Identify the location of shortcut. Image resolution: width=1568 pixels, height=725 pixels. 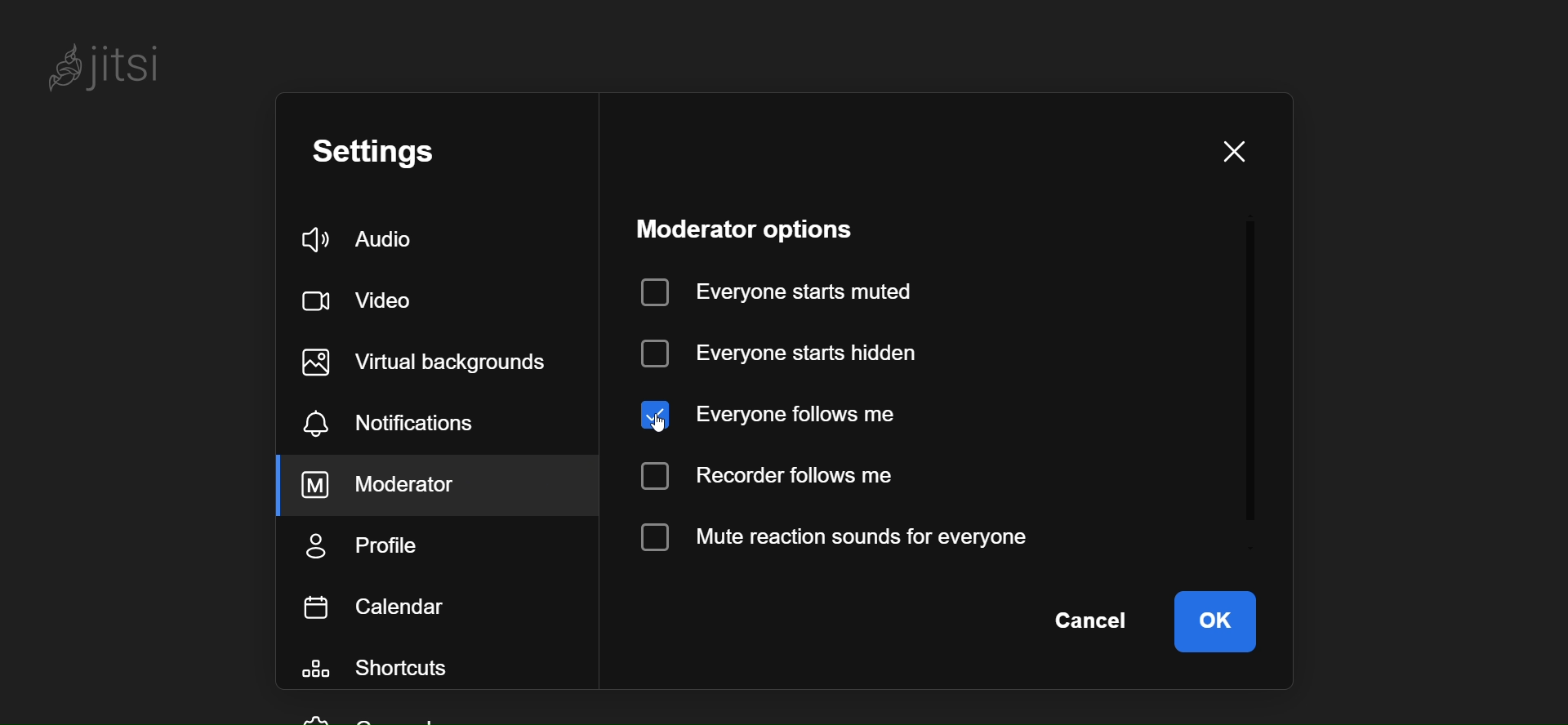
(388, 671).